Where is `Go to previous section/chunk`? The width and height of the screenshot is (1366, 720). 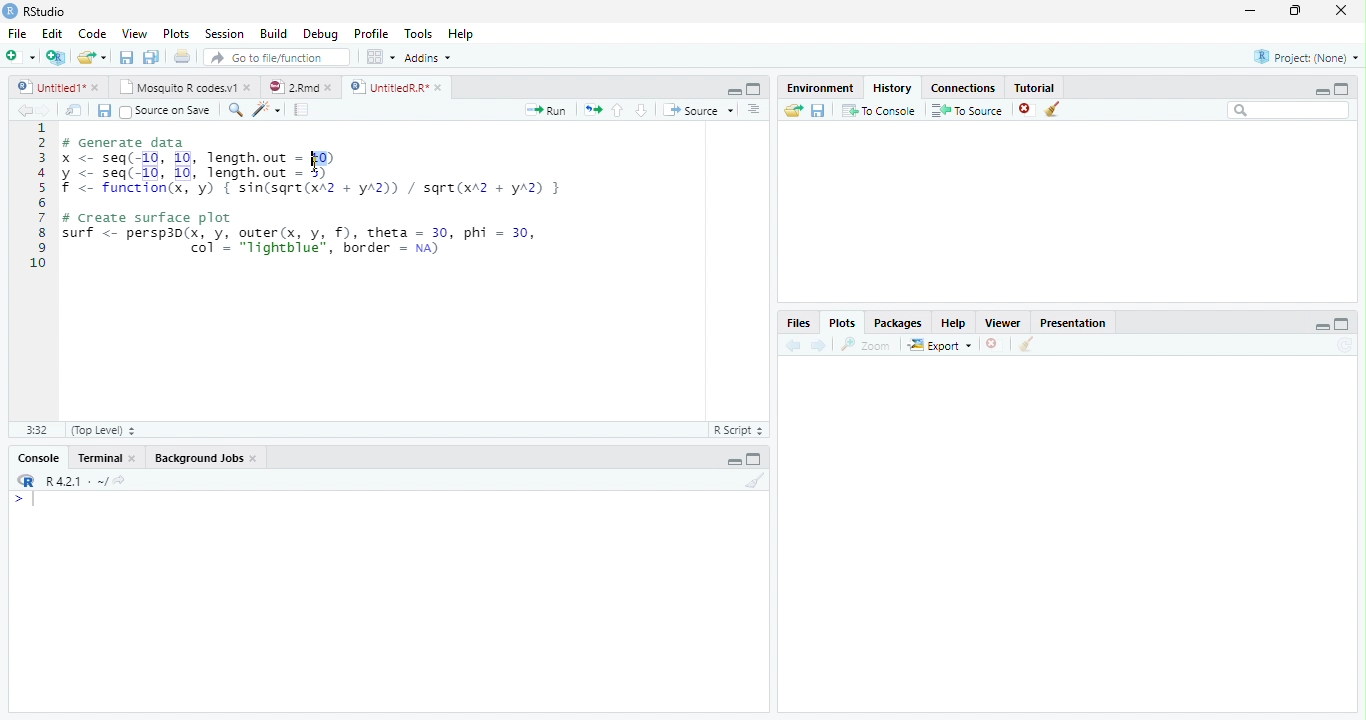 Go to previous section/chunk is located at coordinates (617, 110).